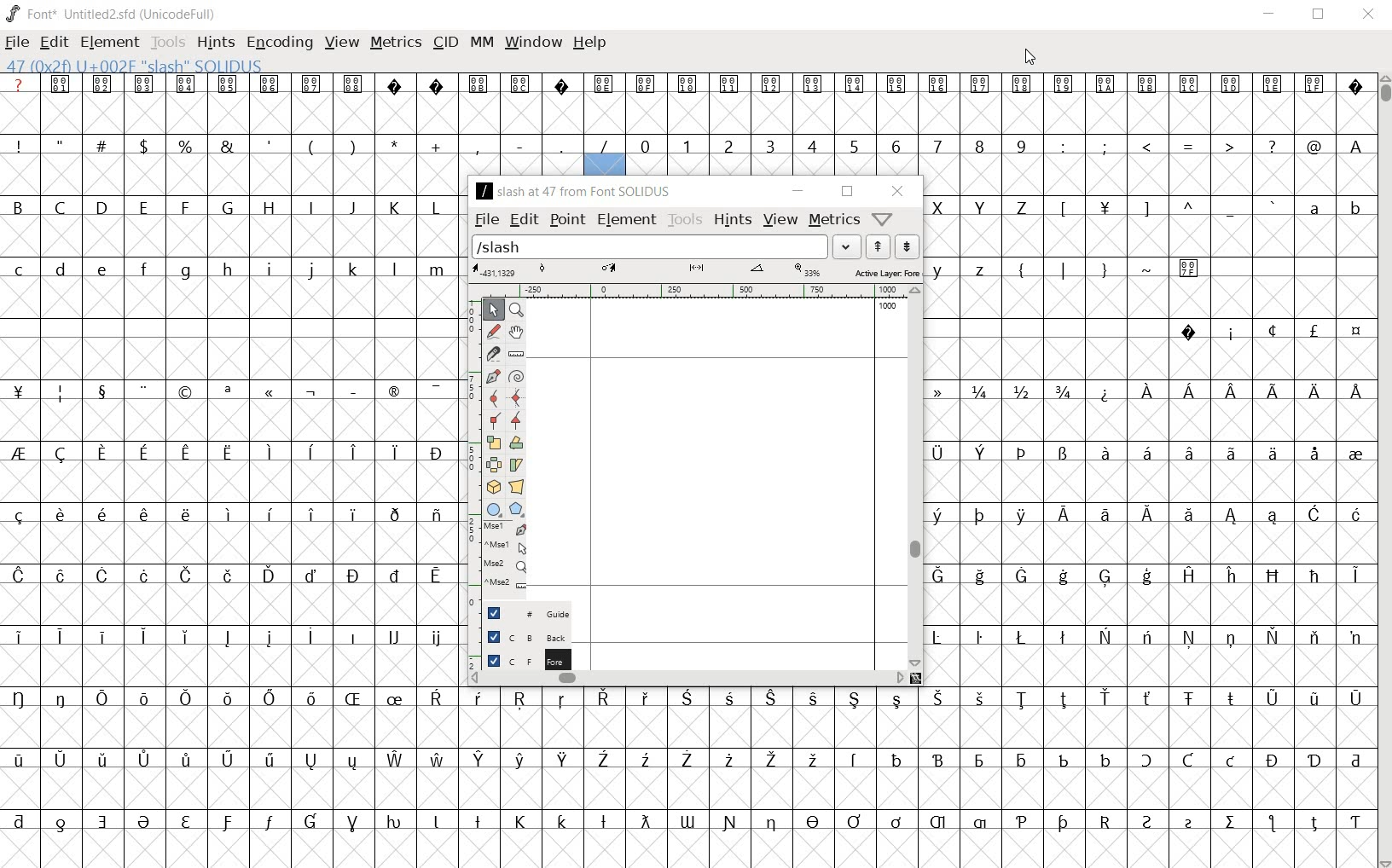 This screenshot has width=1392, height=868. What do you see at coordinates (492, 310) in the screenshot?
I see `pointer` at bounding box center [492, 310].